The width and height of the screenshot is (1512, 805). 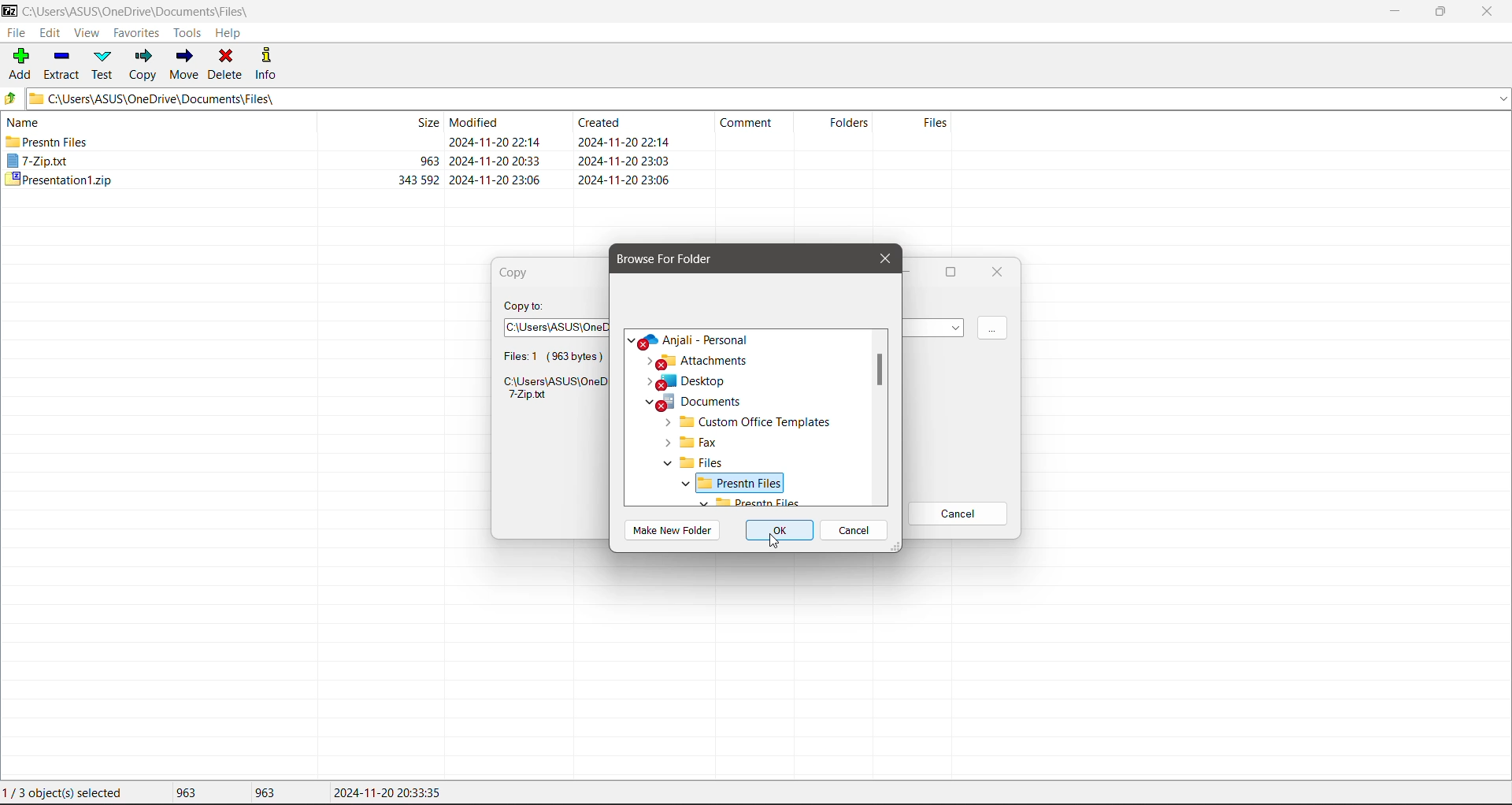 What do you see at coordinates (387, 793) in the screenshot?
I see `Modified Date of the last file selected` at bounding box center [387, 793].